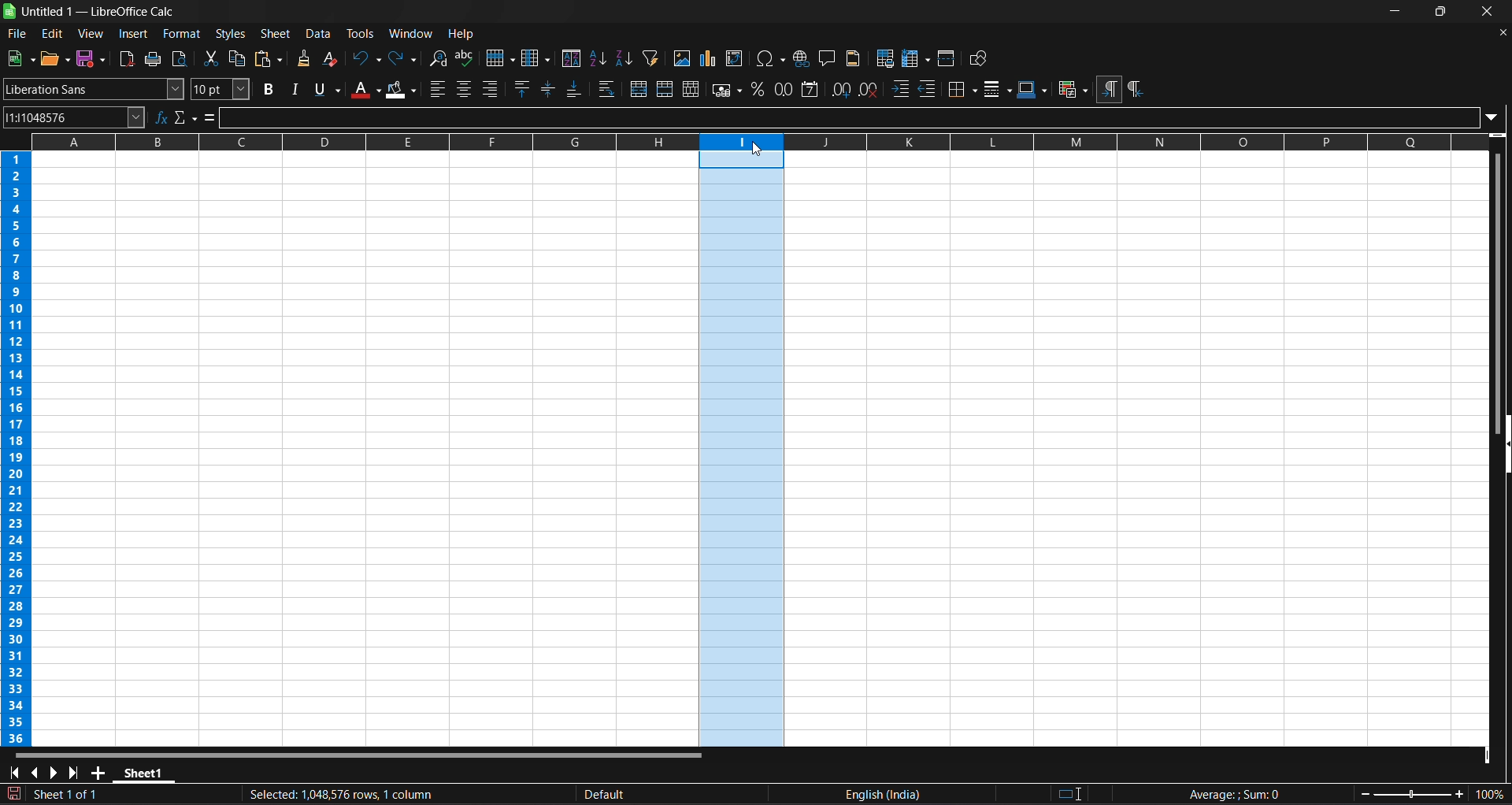  Describe the element at coordinates (181, 34) in the screenshot. I see `format` at that location.